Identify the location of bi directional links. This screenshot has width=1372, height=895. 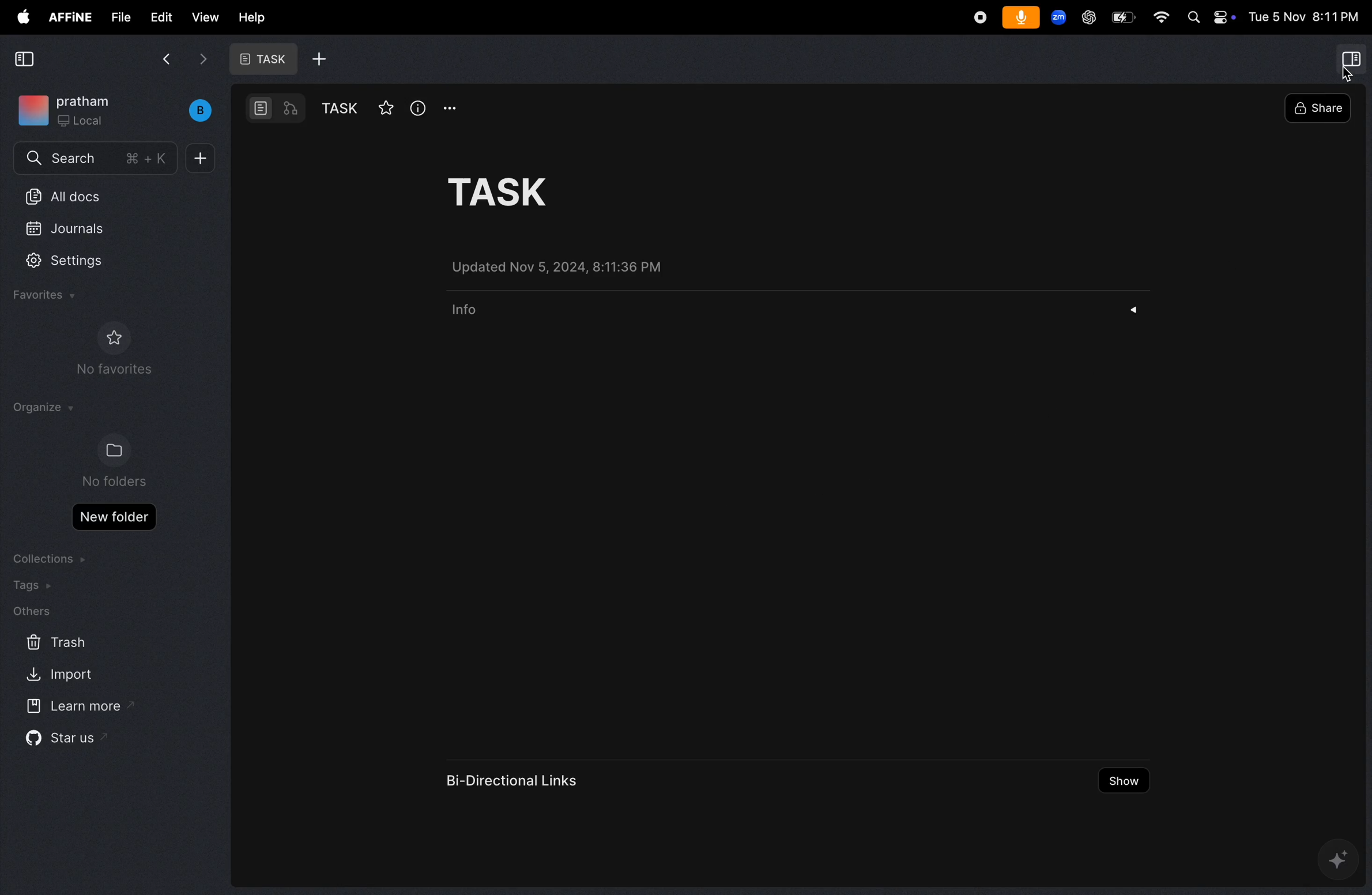
(517, 784).